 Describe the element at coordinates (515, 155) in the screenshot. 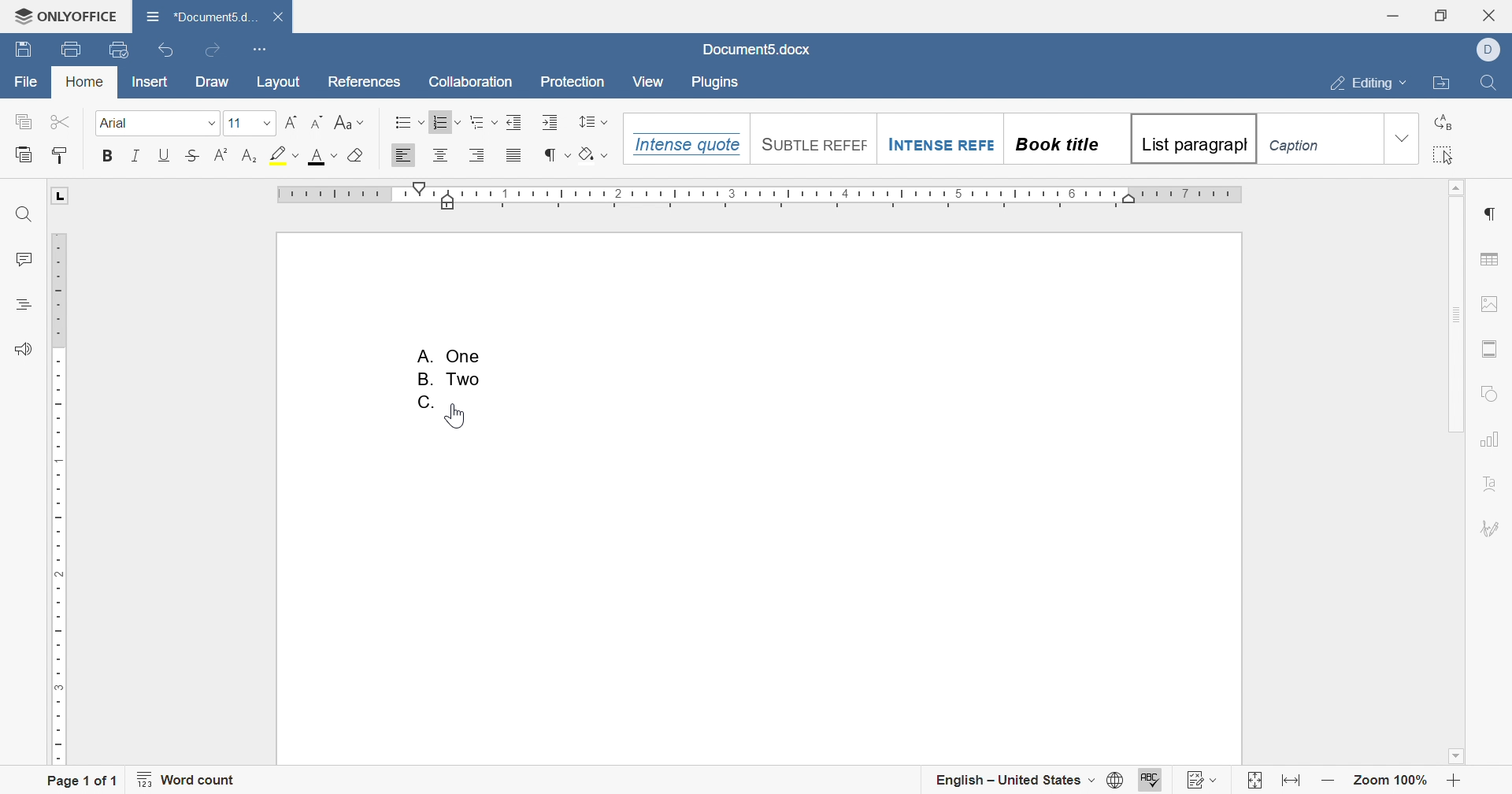

I see `Justified` at that location.